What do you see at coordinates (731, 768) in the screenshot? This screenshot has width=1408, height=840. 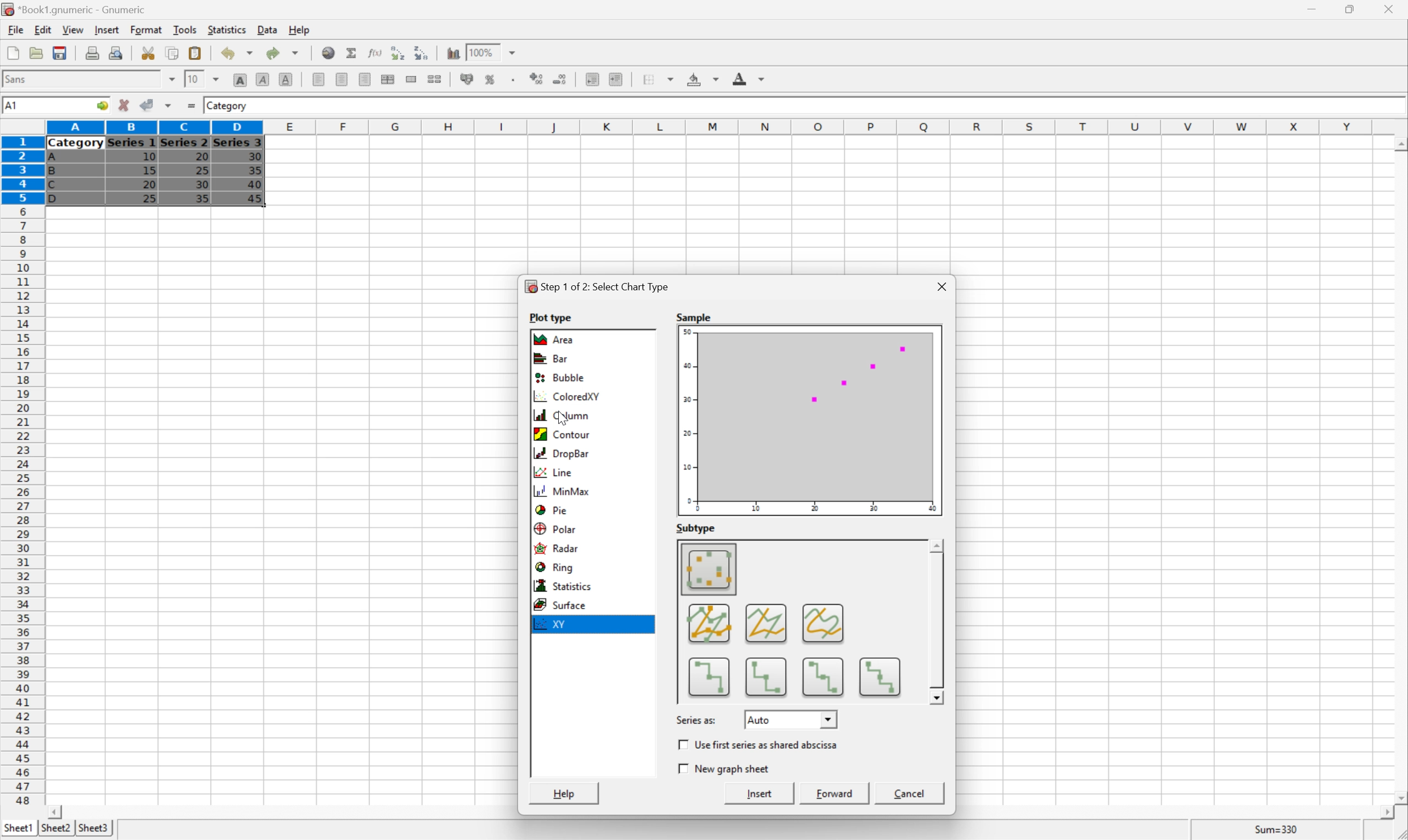 I see `New Graph Sheet` at bounding box center [731, 768].